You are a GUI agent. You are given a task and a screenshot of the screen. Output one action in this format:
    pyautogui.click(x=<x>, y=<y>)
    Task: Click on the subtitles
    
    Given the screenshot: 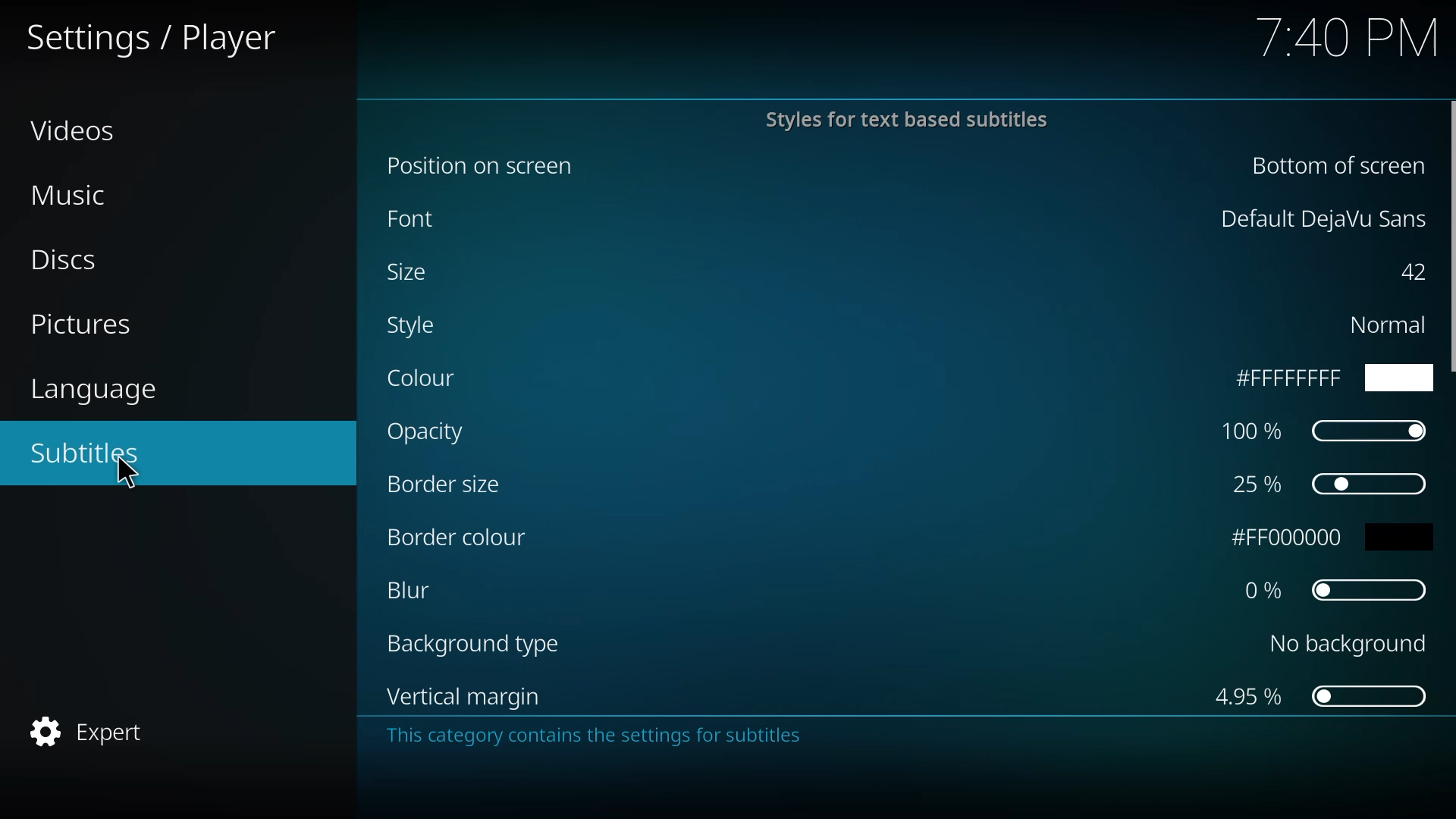 What is the action you would take?
    pyautogui.click(x=91, y=454)
    